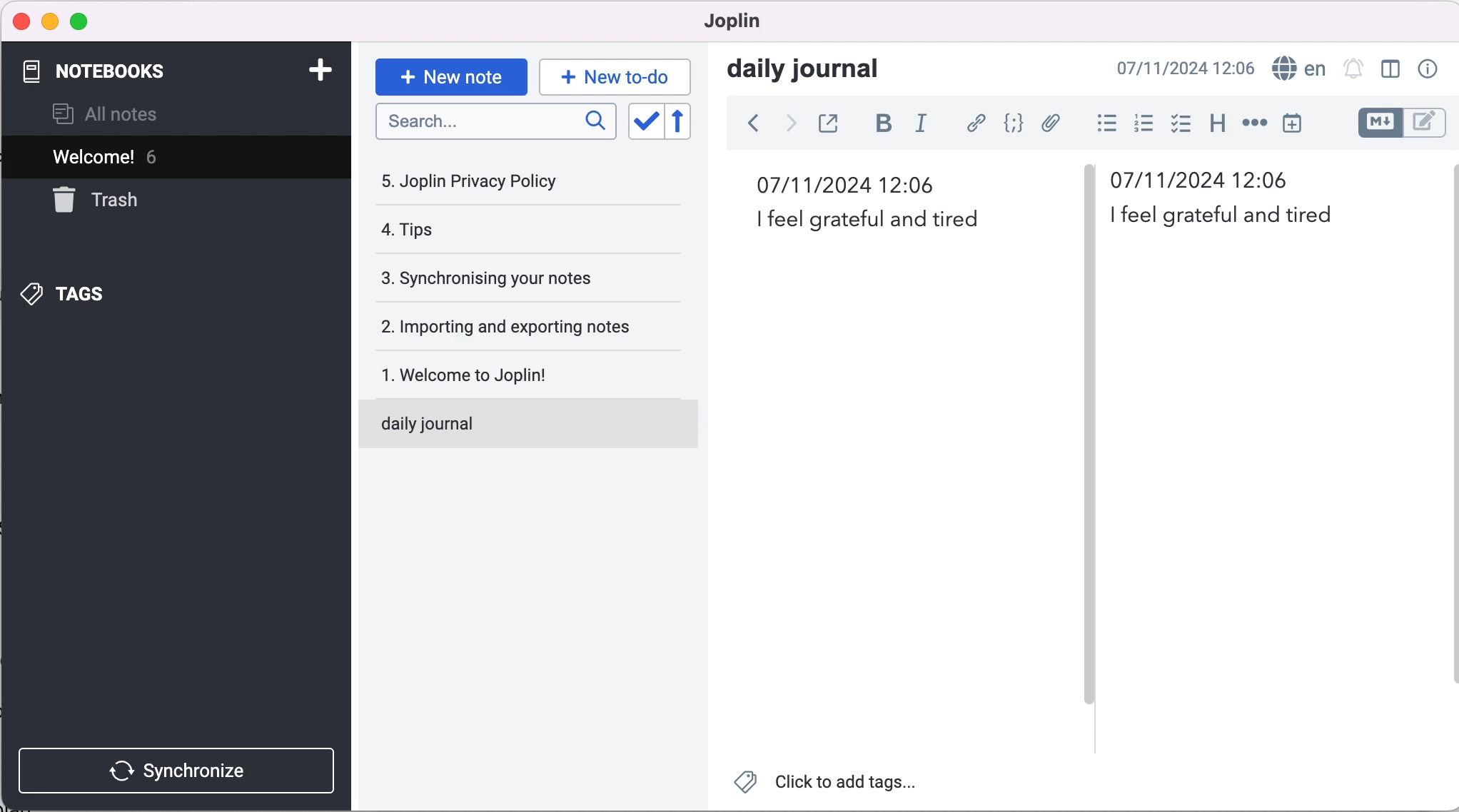  I want to click on check box, so click(1176, 123).